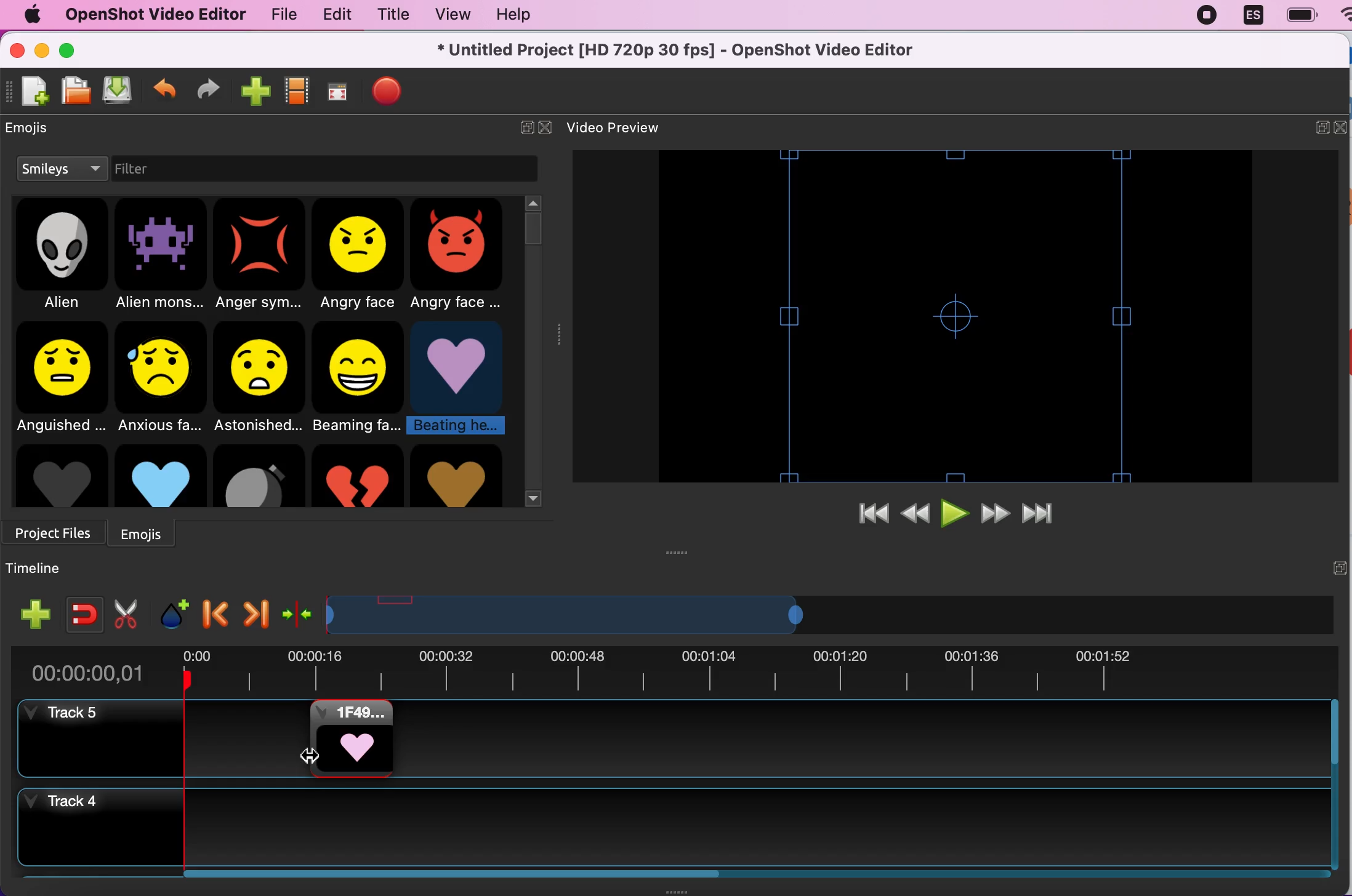 This screenshot has width=1352, height=896. What do you see at coordinates (80, 610) in the screenshot?
I see `enable snapping` at bounding box center [80, 610].